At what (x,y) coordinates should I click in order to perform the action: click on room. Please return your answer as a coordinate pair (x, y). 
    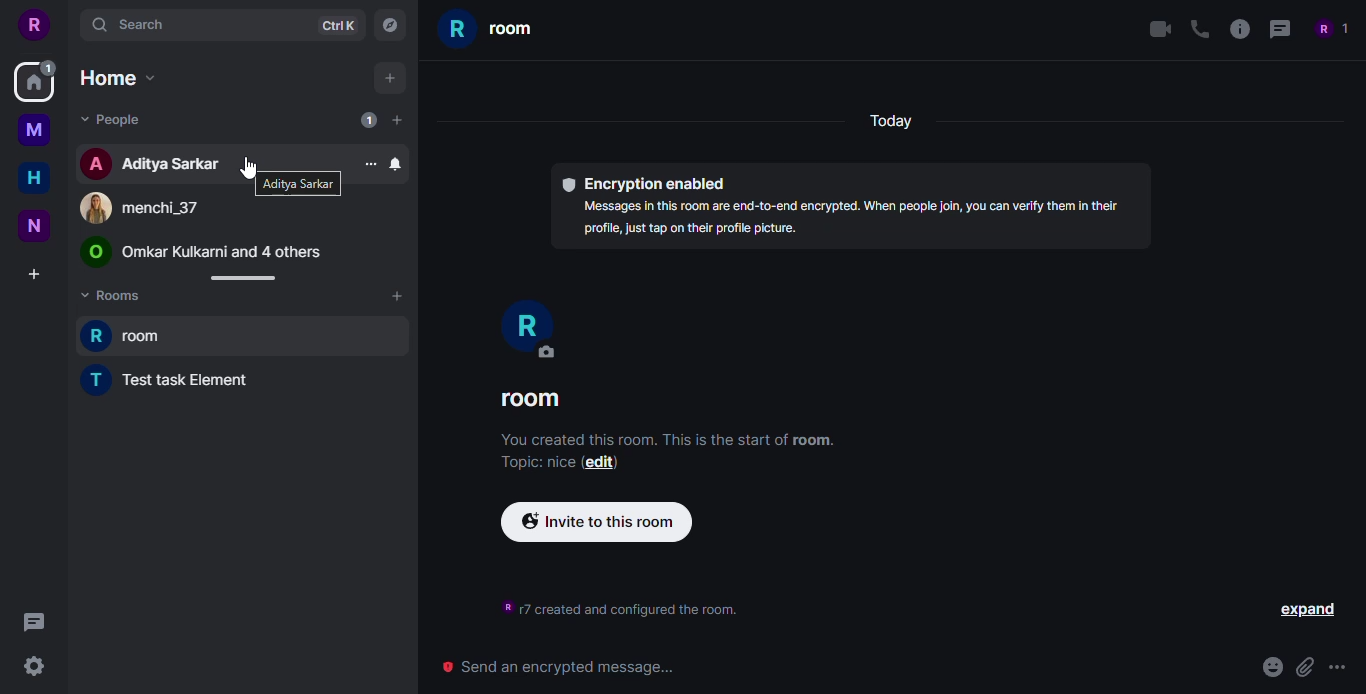
    Looking at the image, I should click on (531, 399).